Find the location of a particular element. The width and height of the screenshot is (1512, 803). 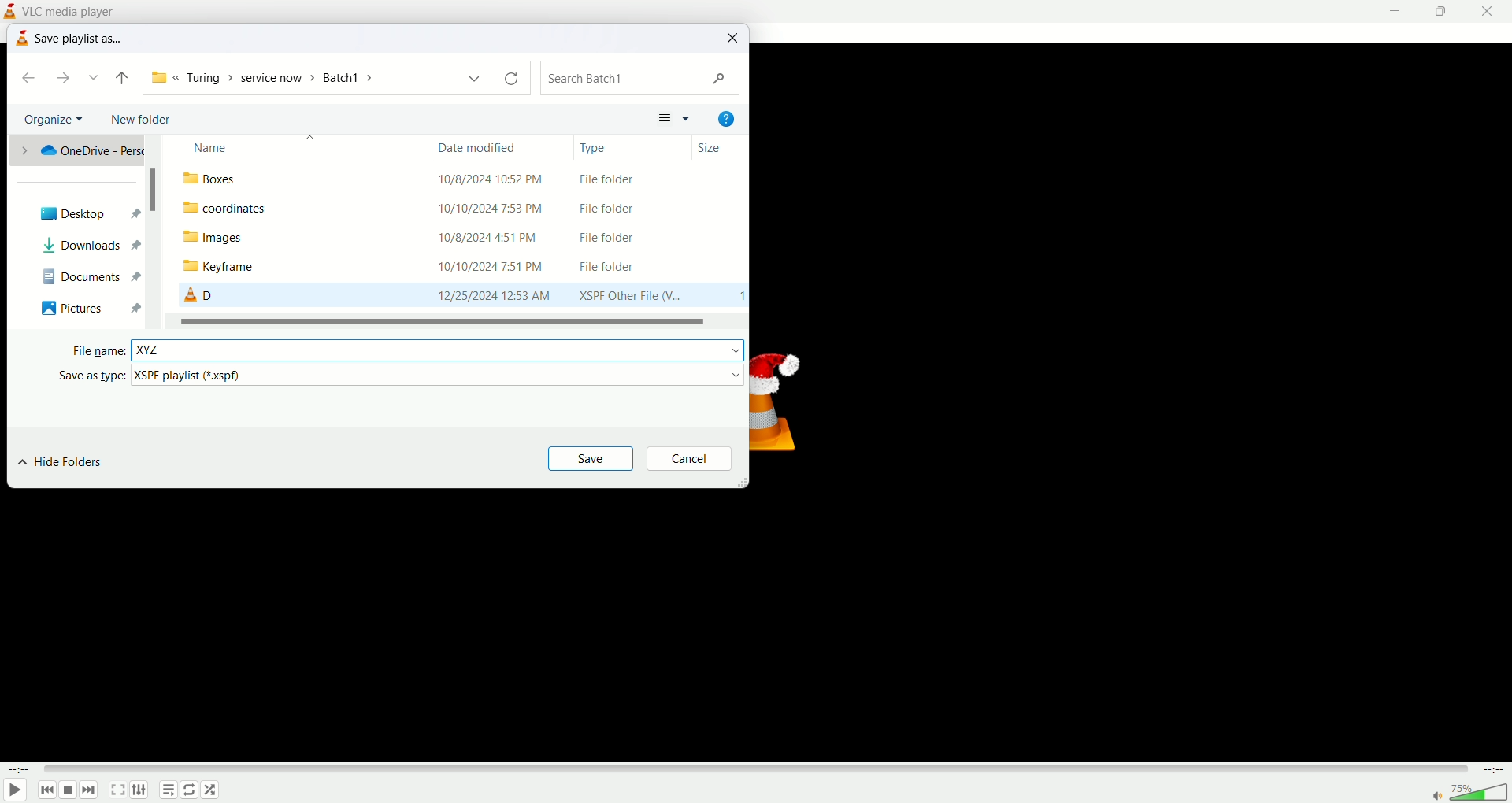

save playlist as is located at coordinates (81, 37).